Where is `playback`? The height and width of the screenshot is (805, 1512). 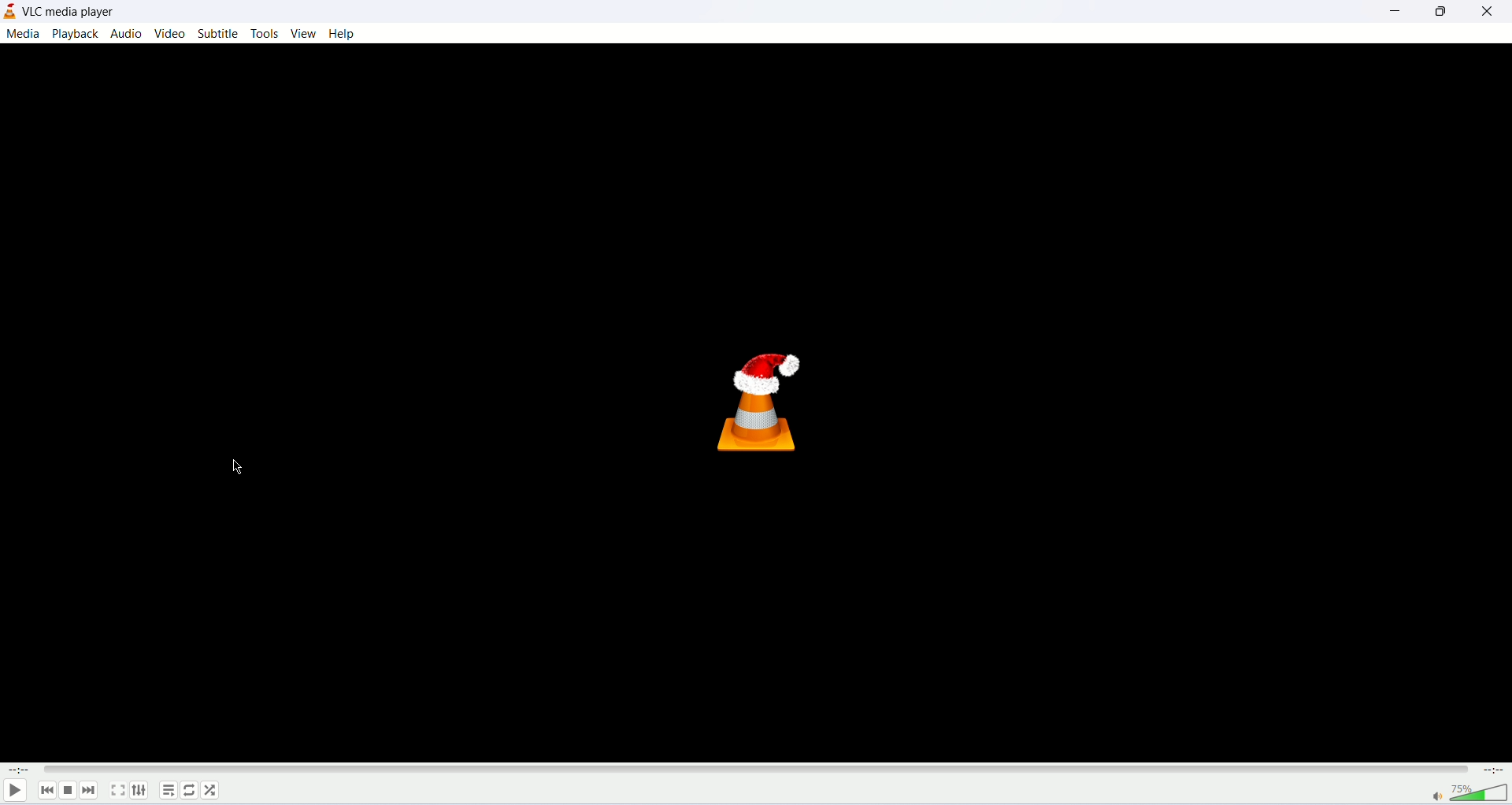 playback is located at coordinates (76, 34).